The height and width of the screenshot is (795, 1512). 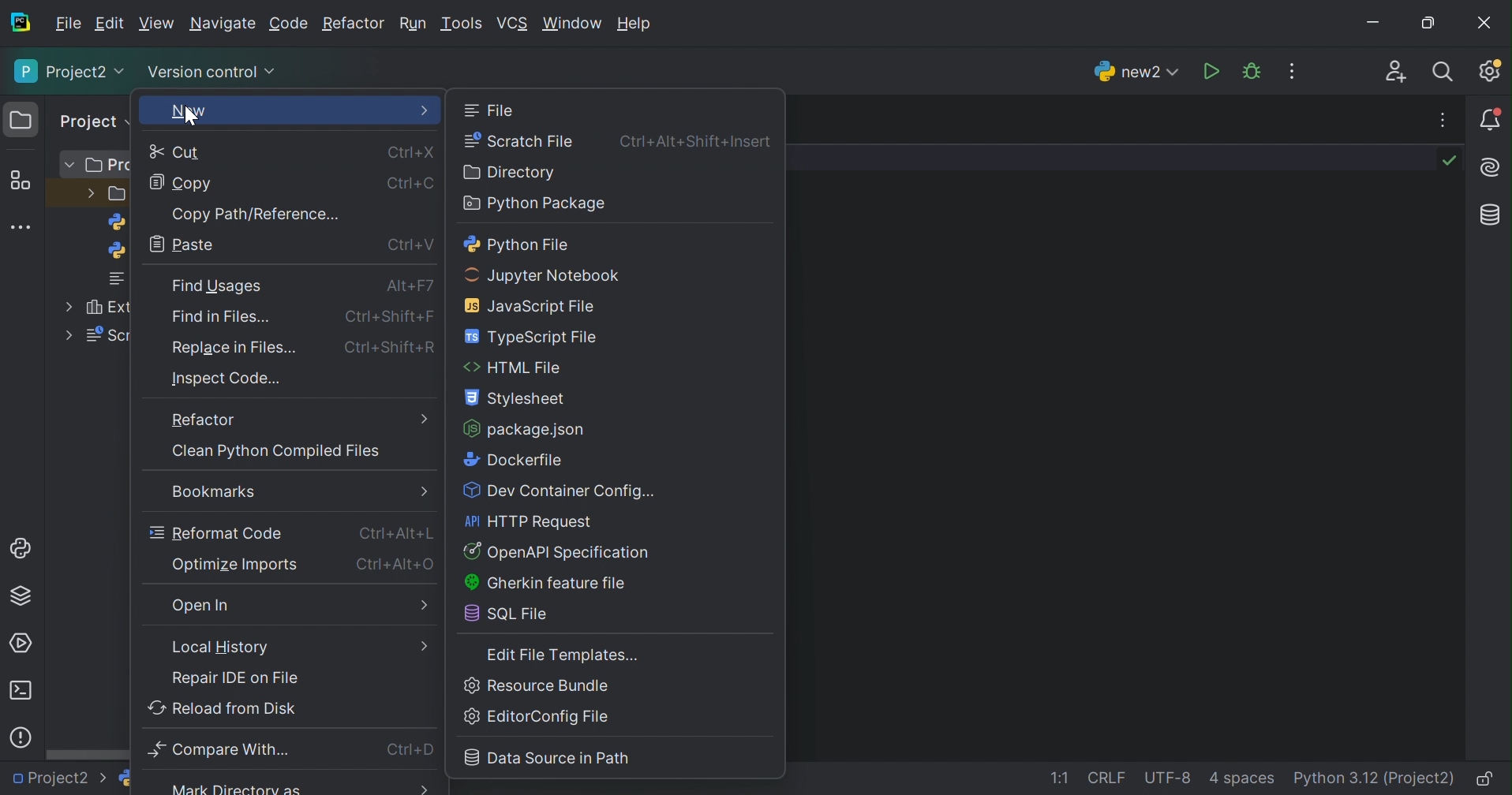 What do you see at coordinates (122, 280) in the screenshot?
I see `notes` at bounding box center [122, 280].